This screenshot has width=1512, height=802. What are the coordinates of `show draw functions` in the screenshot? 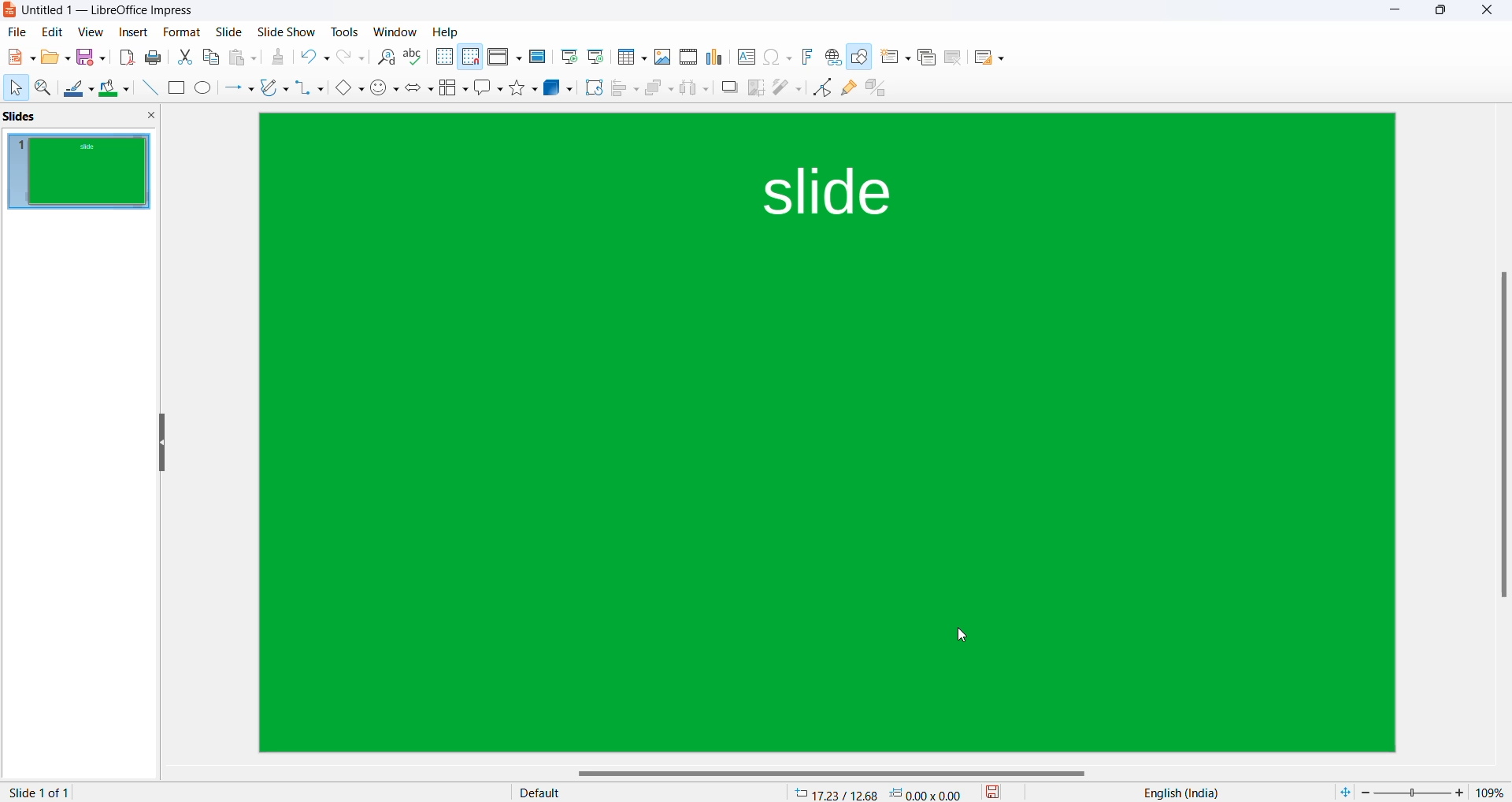 It's located at (862, 60).